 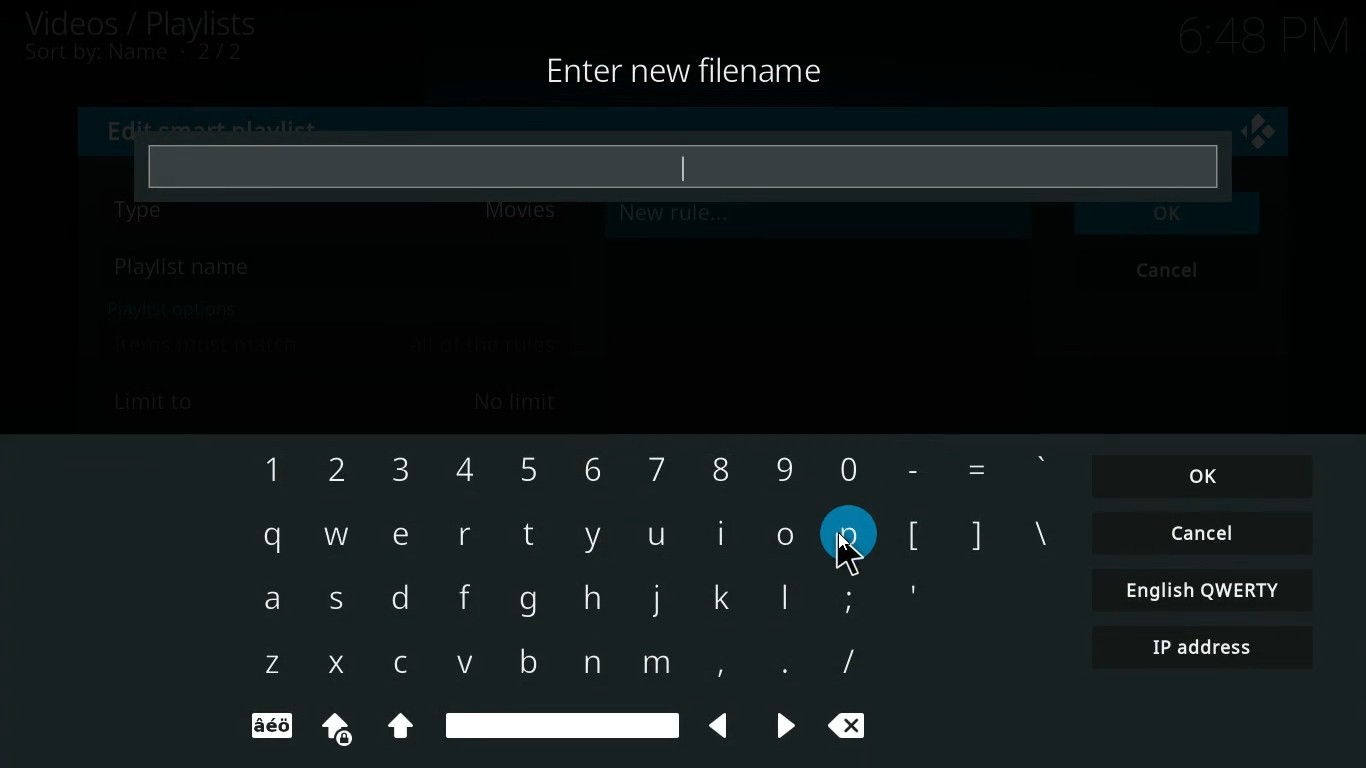 What do you see at coordinates (267, 470) in the screenshot?
I see `1` at bounding box center [267, 470].